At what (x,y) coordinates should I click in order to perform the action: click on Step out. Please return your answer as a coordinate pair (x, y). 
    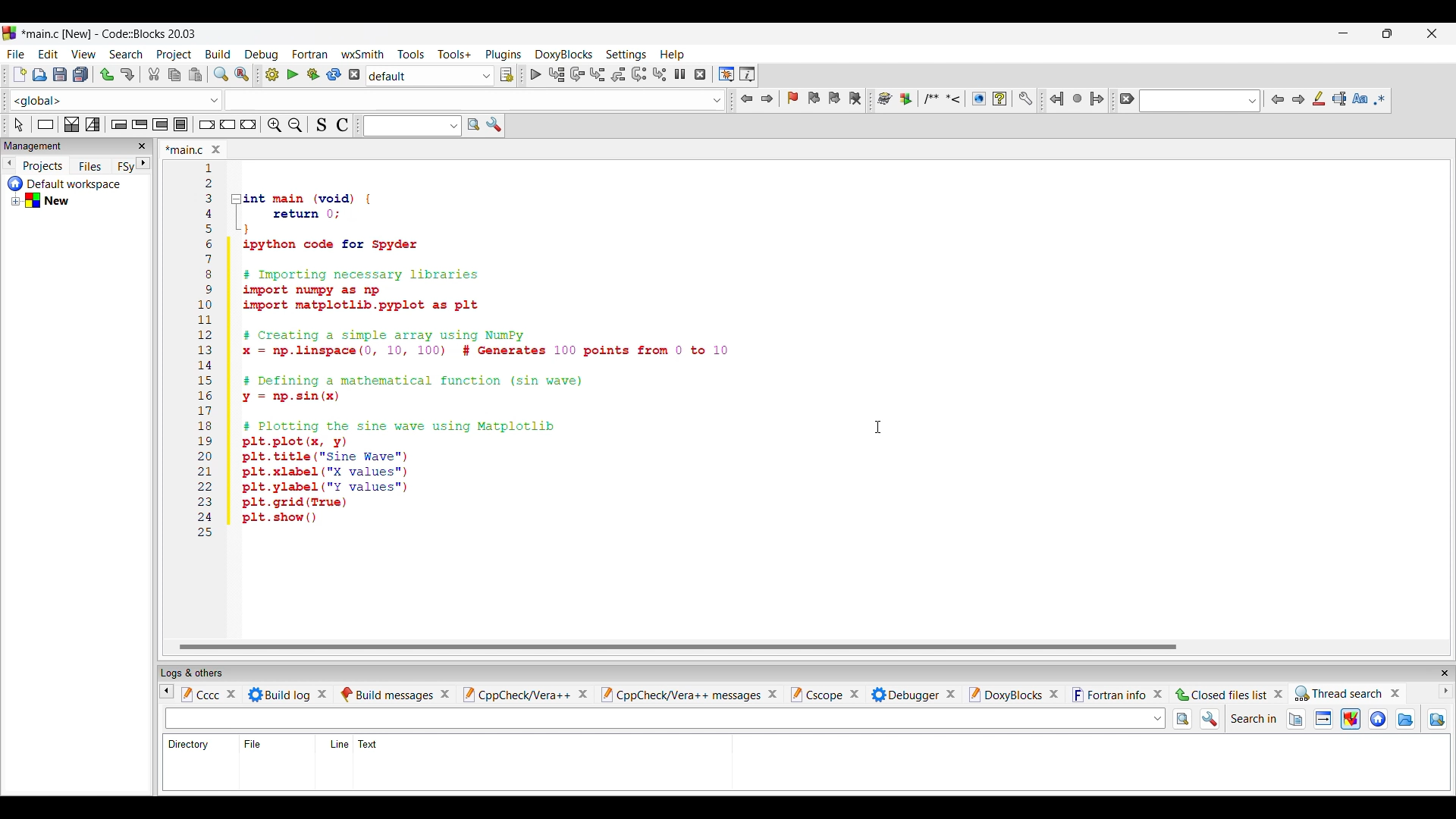
    Looking at the image, I should click on (618, 76).